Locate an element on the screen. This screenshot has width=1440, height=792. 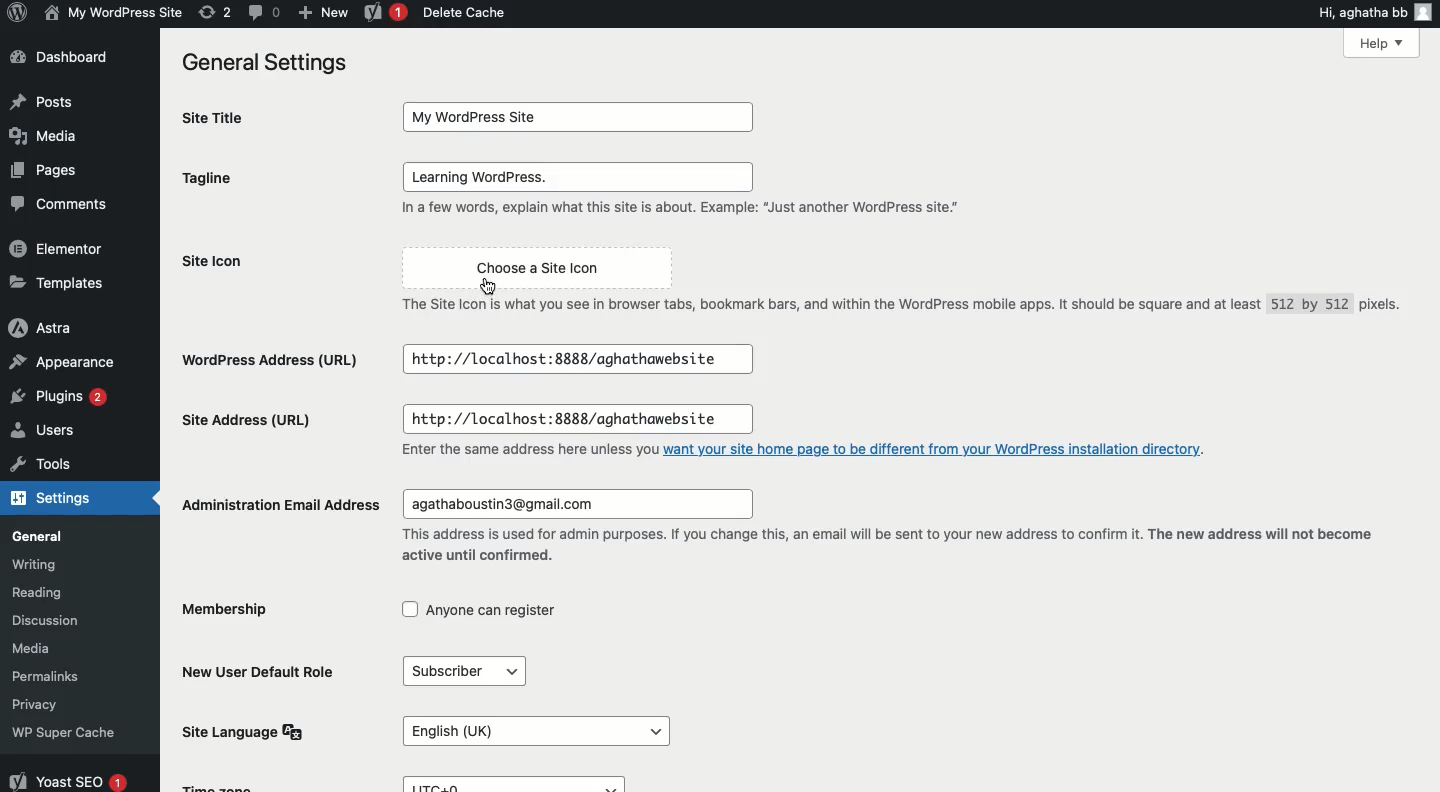
 http: //localhost :8888/aghathawebsite  is located at coordinates (580, 360).